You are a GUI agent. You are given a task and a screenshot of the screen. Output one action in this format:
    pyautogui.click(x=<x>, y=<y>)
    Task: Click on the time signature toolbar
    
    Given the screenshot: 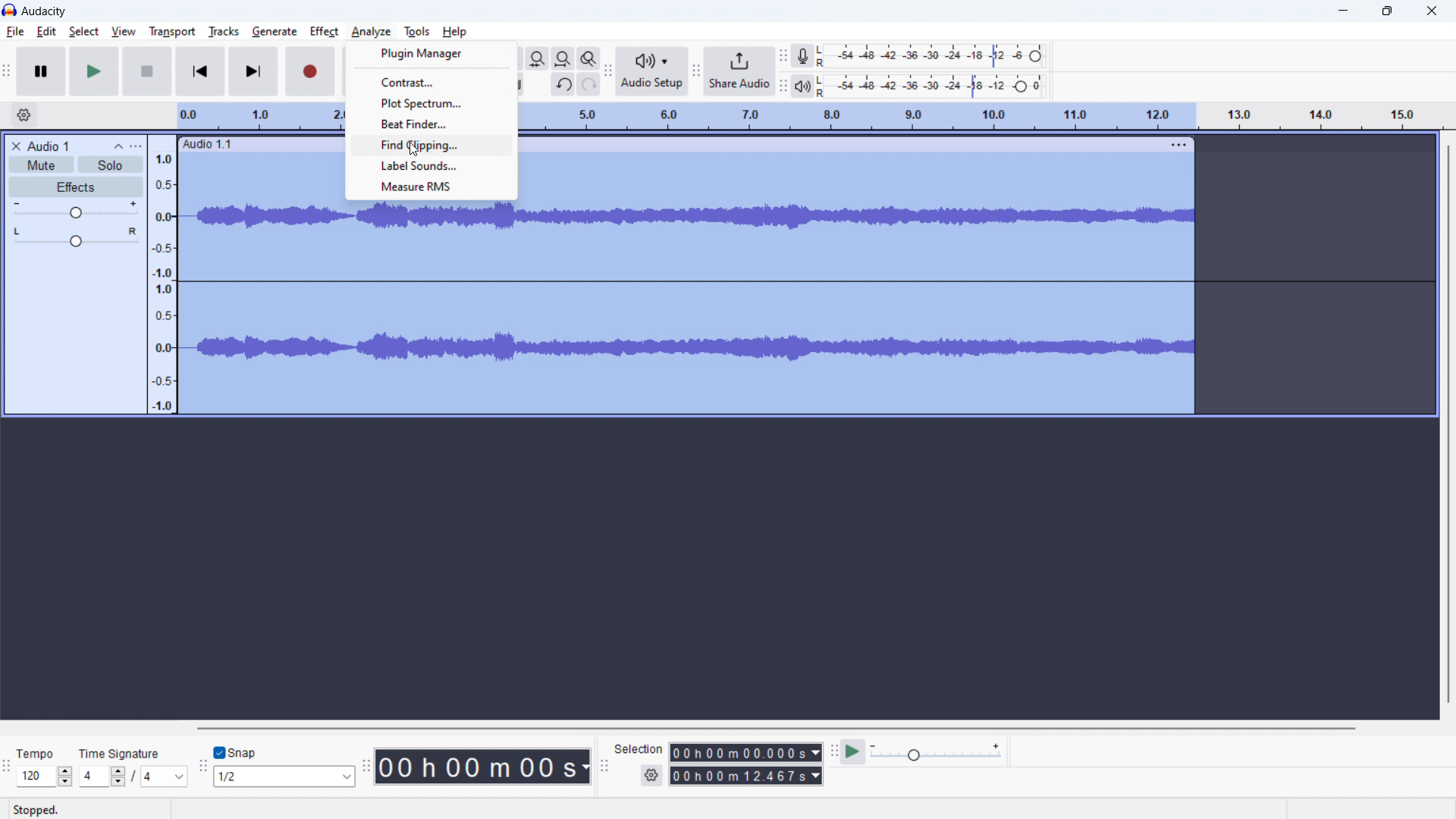 What is the action you would take?
    pyautogui.click(x=10, y=764)
    